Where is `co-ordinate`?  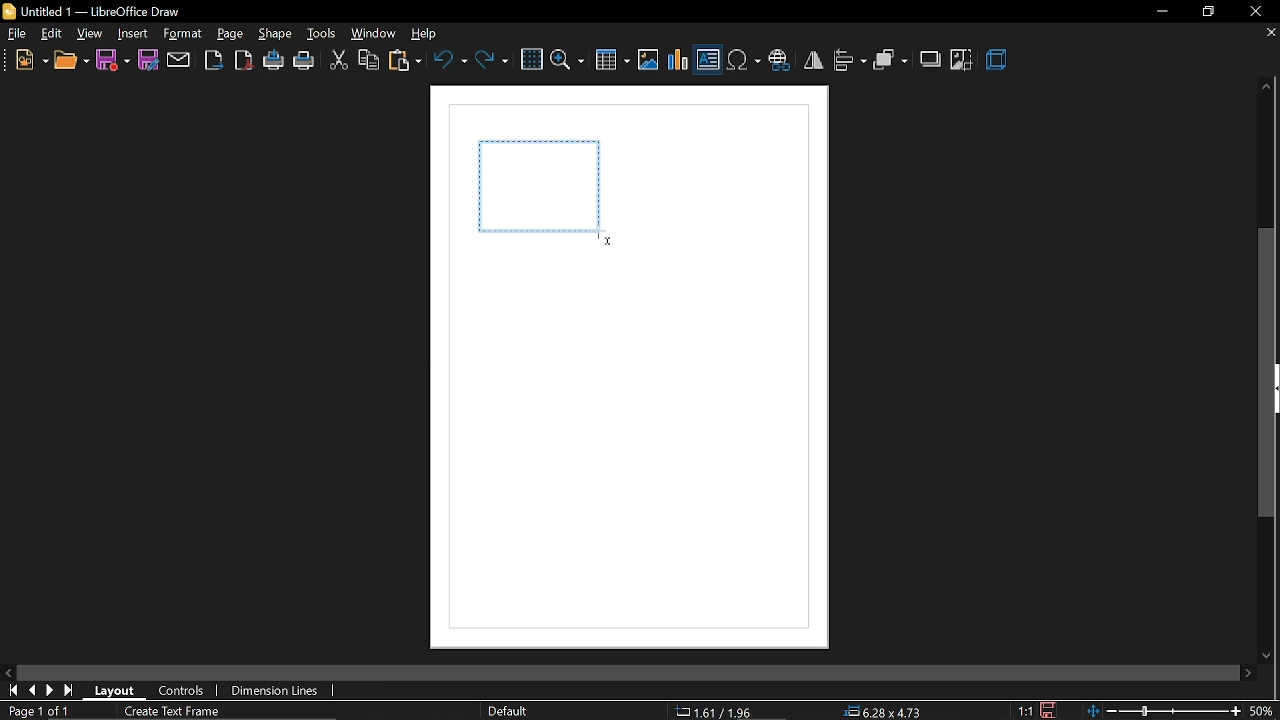 co-ordinate is located at coordinates (721, 711).